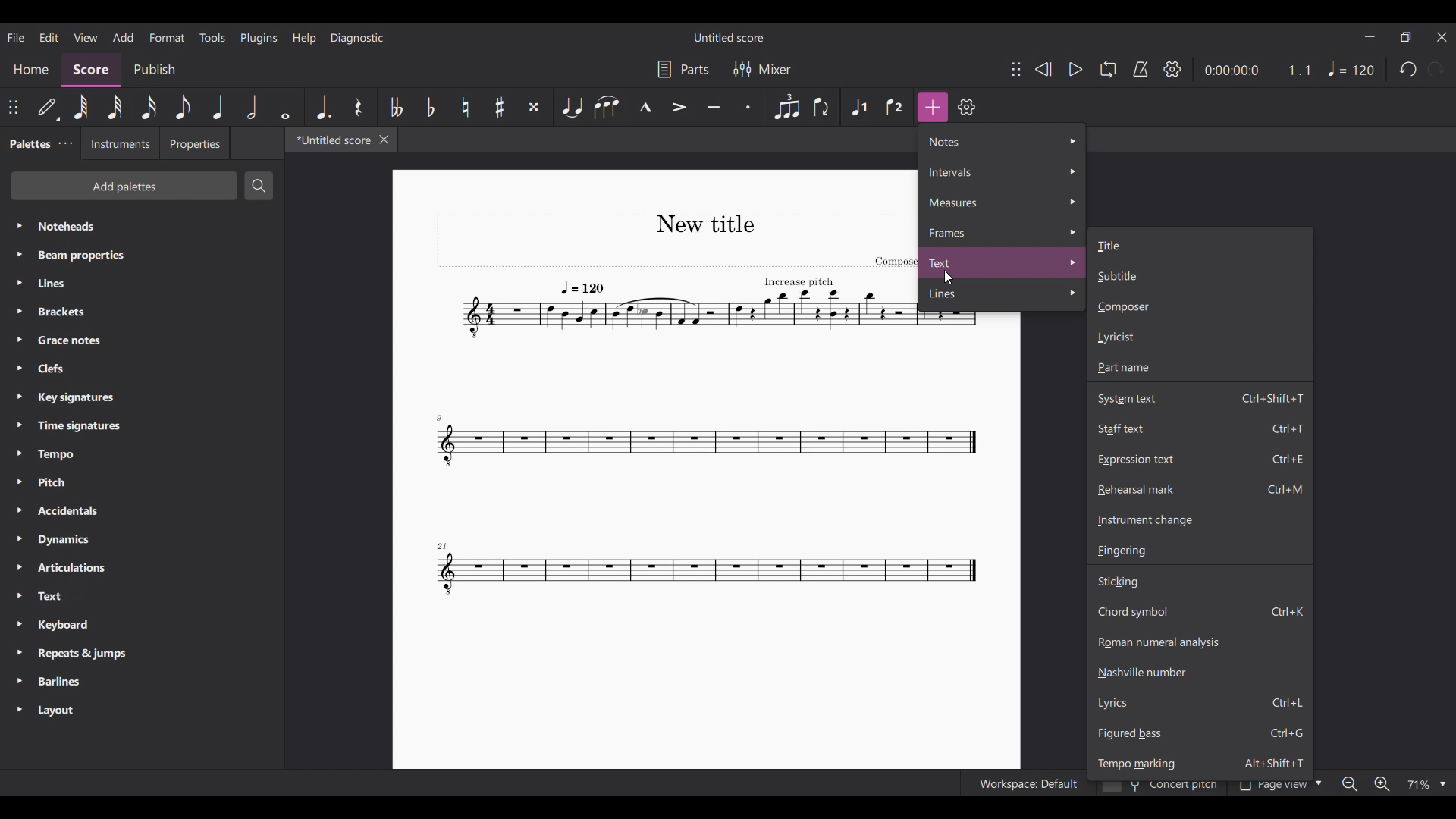 The image size is (1456, 819). What do you see at coordinates (966, 107) in the screenshot?
I see `Settings` at bounding box center [966, 107].